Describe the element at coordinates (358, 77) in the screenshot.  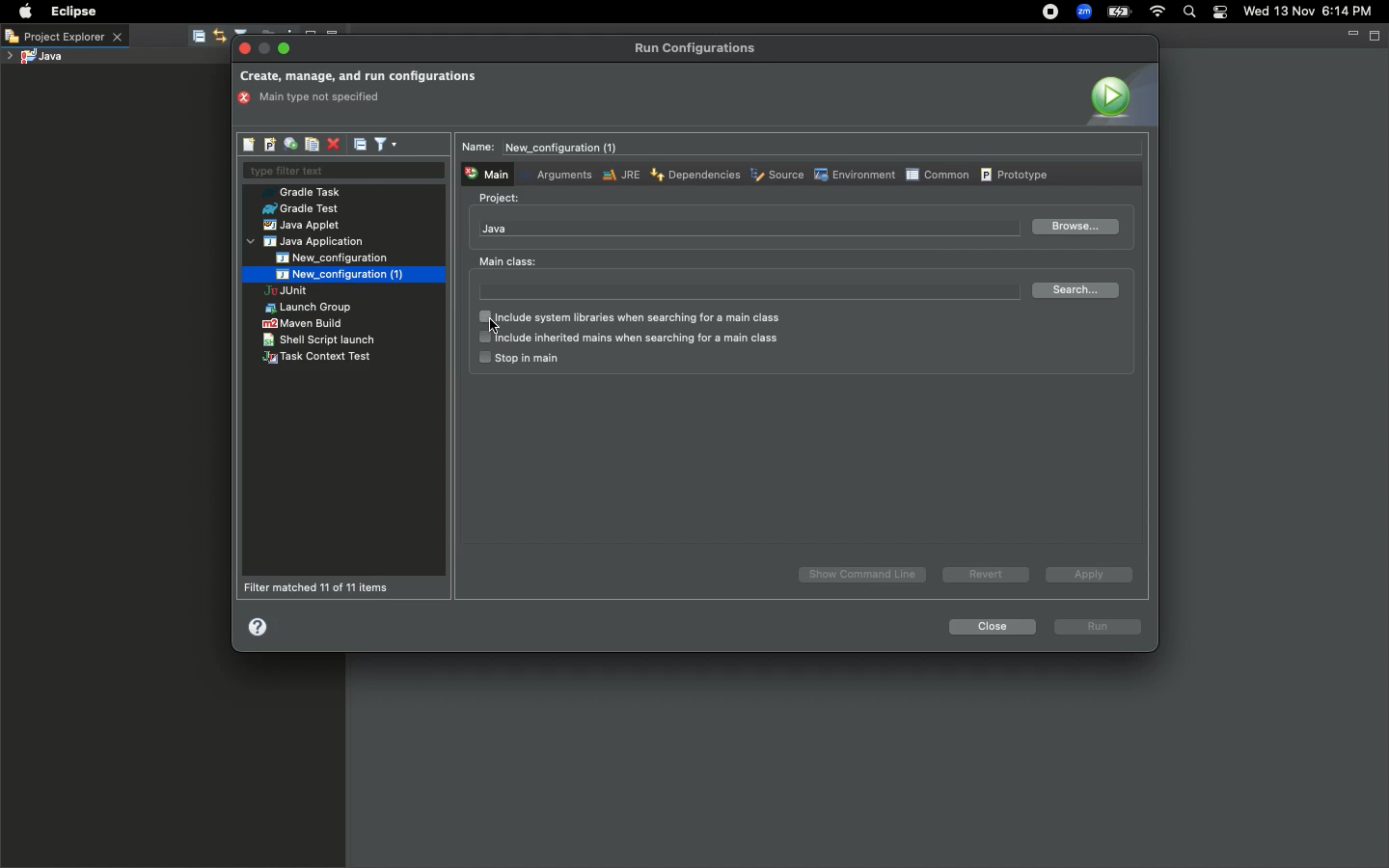
I see `Create manage and run configurations` at that location.